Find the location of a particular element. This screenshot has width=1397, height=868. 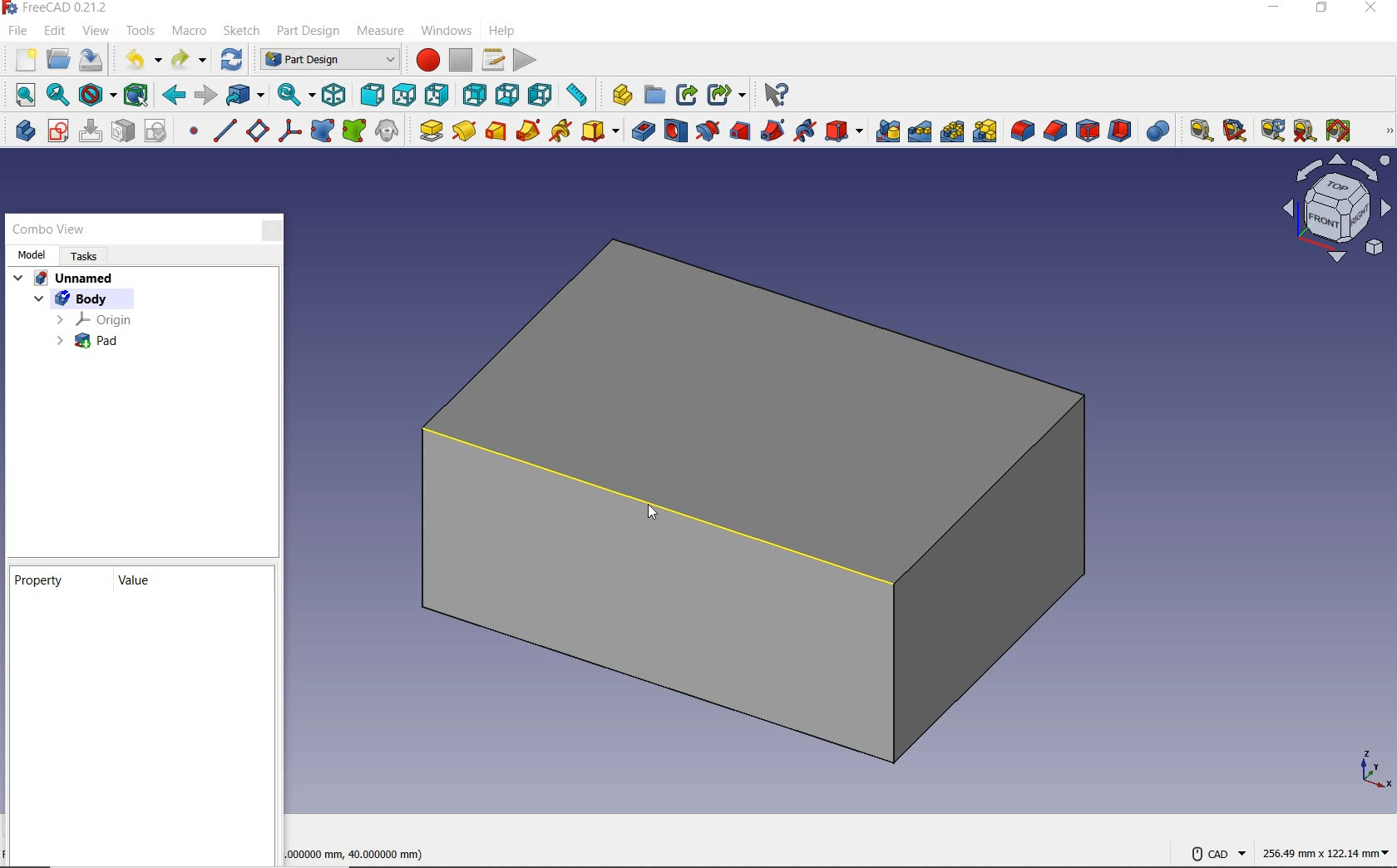

undo is located at coordinates (140, 58).